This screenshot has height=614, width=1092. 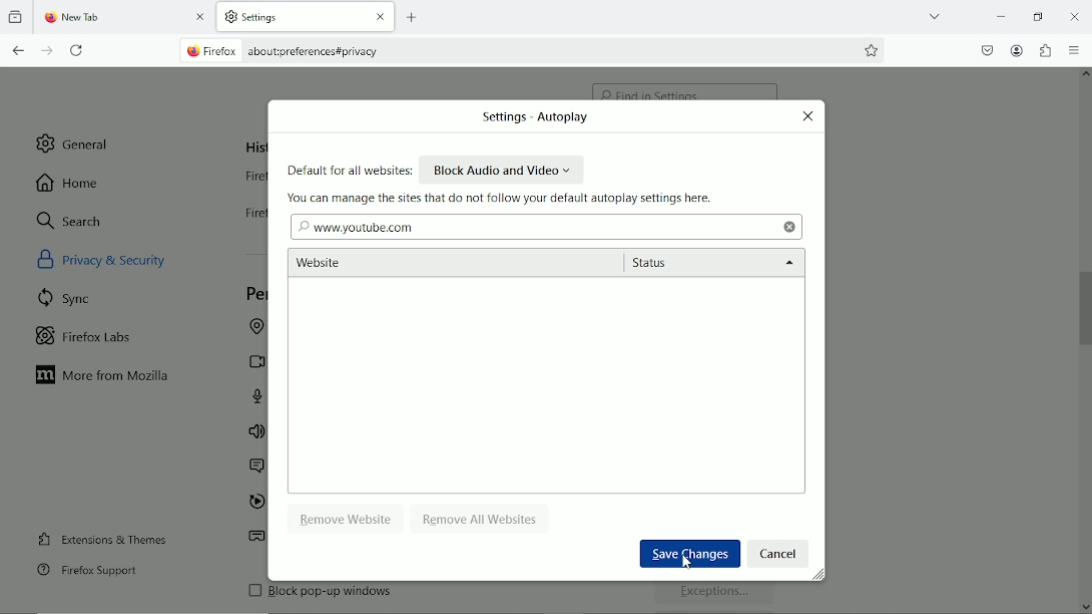 What do you see at coordinates (1045, 50) in the screenshot?
I see `extensions` at bounding box center [1045, 50].